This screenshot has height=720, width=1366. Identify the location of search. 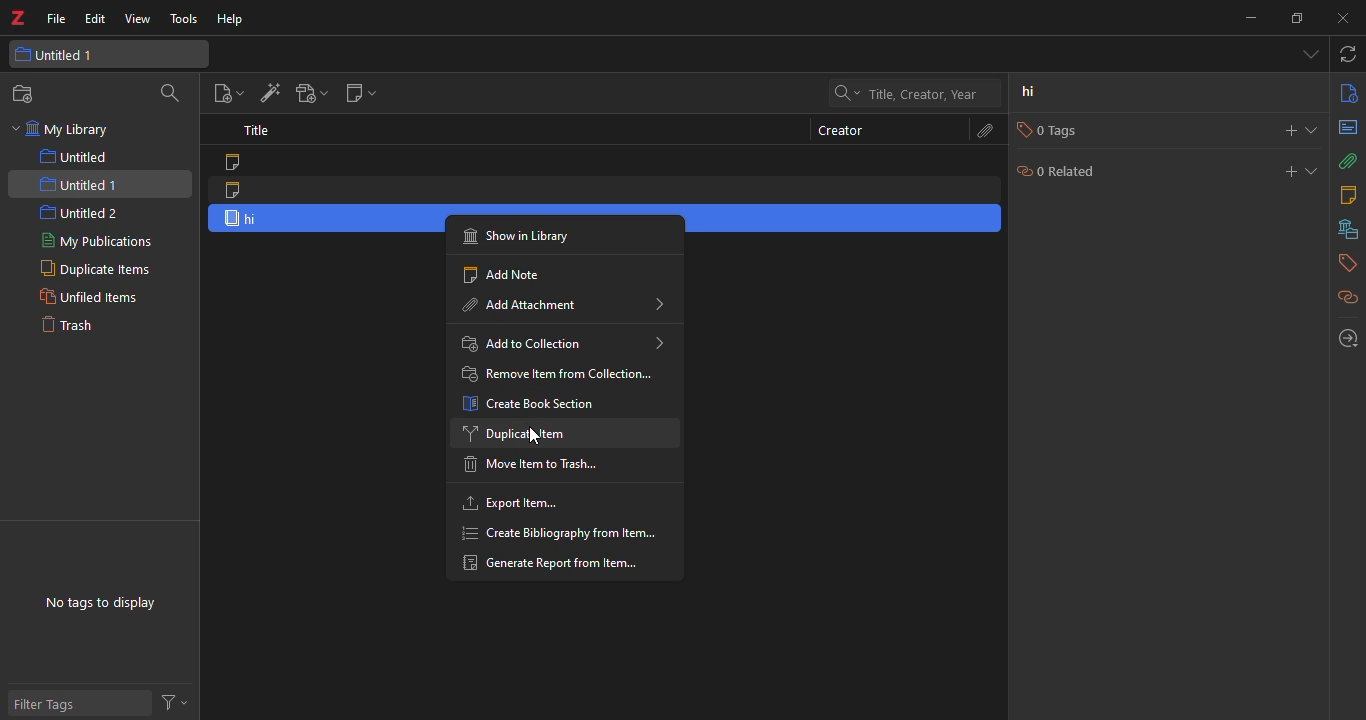
(173, 93).